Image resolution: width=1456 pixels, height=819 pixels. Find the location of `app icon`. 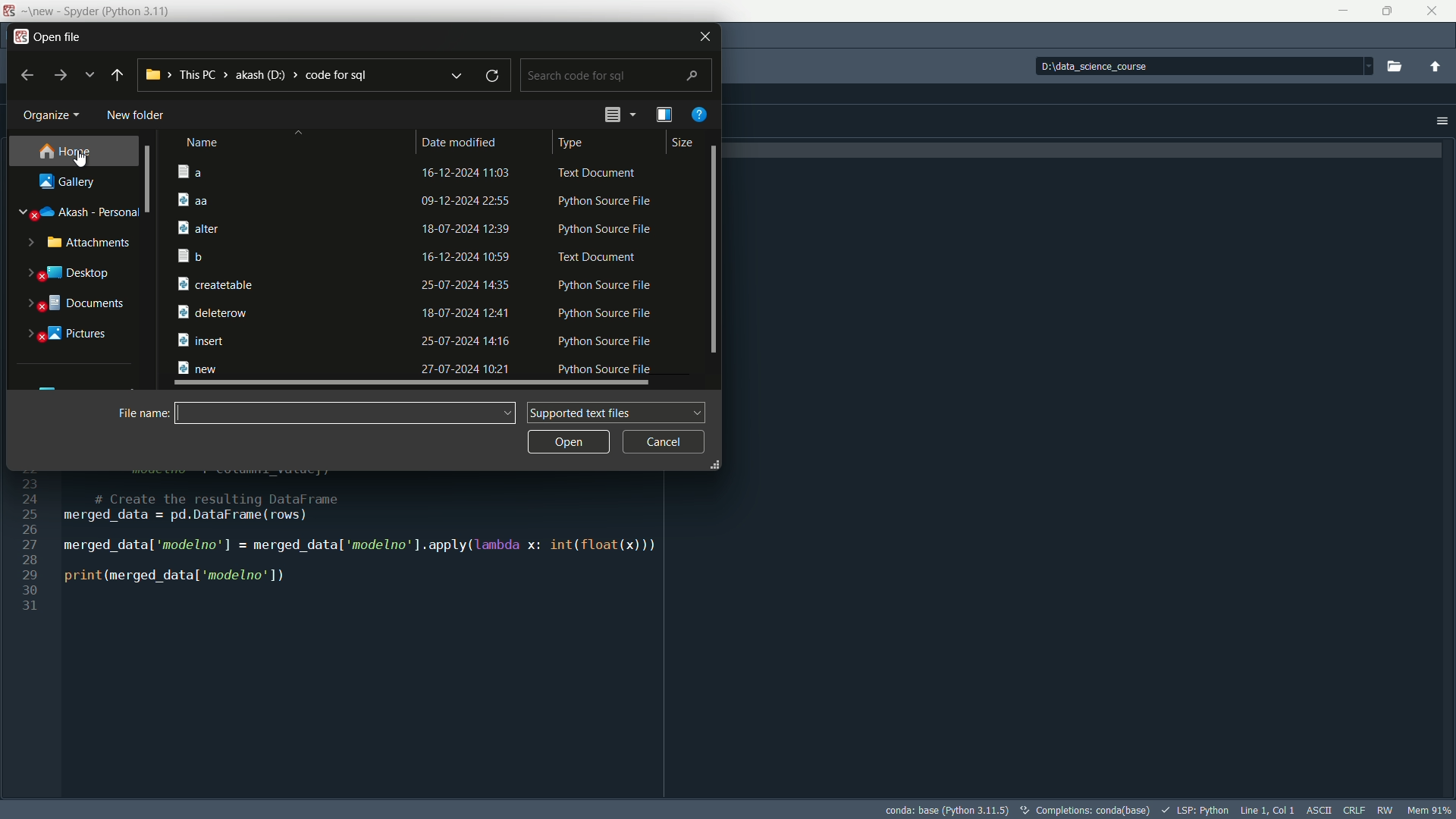

app icon is located at coordinates (8, 11).